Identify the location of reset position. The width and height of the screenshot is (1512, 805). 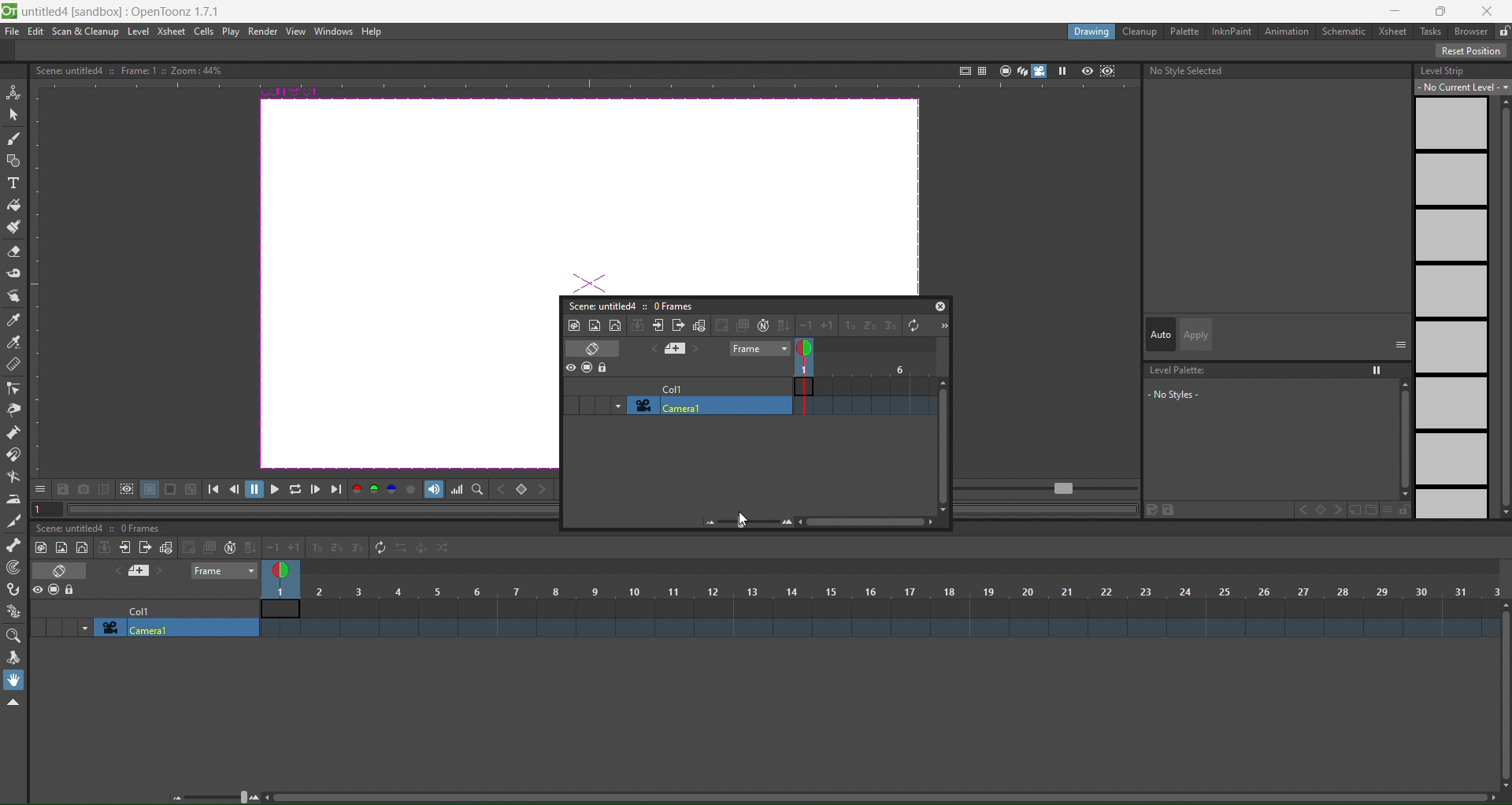
(1473, 51).